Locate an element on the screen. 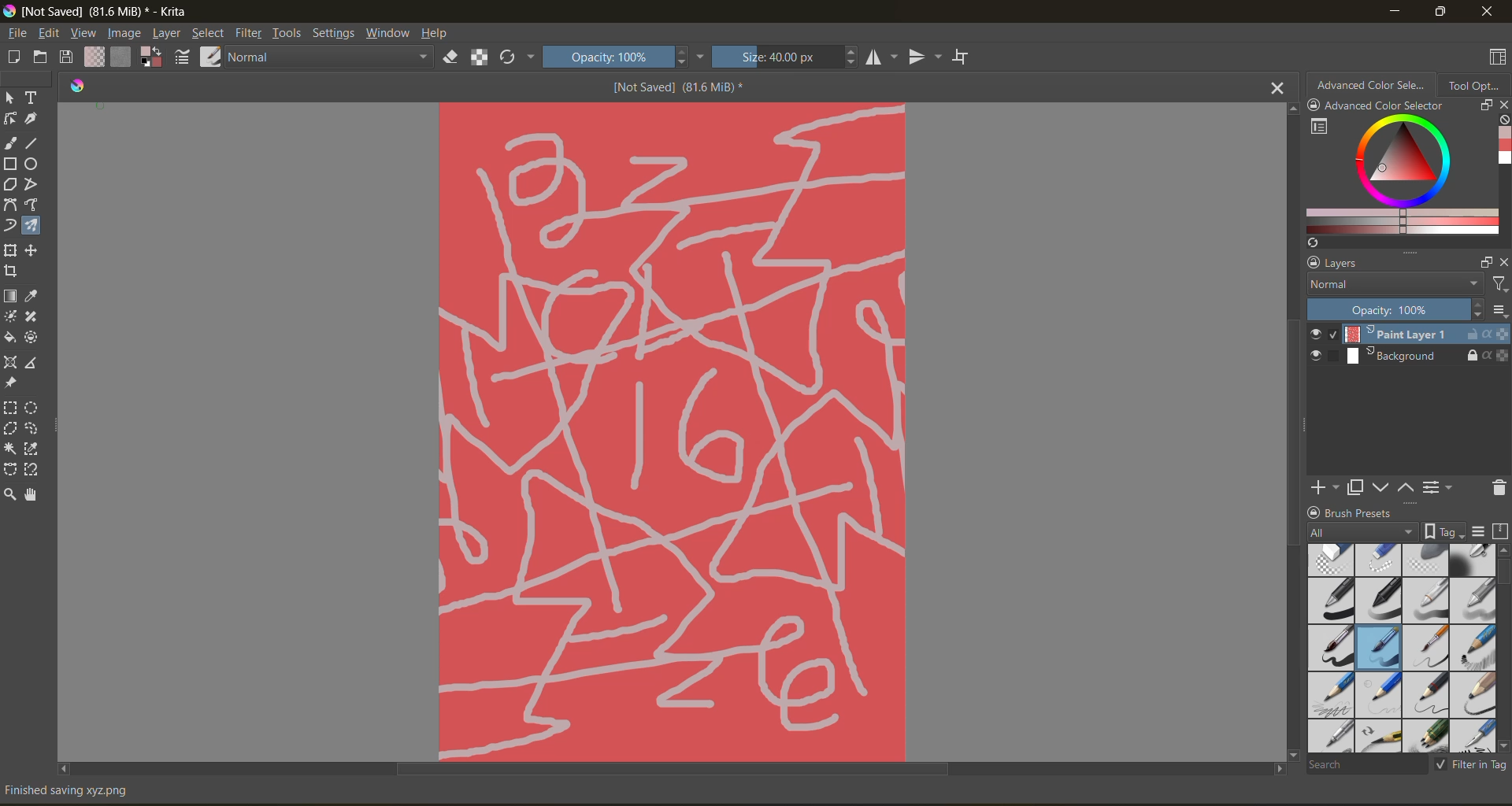 The image size is (1512, 806). layers is located at coordinates (1398, 264).